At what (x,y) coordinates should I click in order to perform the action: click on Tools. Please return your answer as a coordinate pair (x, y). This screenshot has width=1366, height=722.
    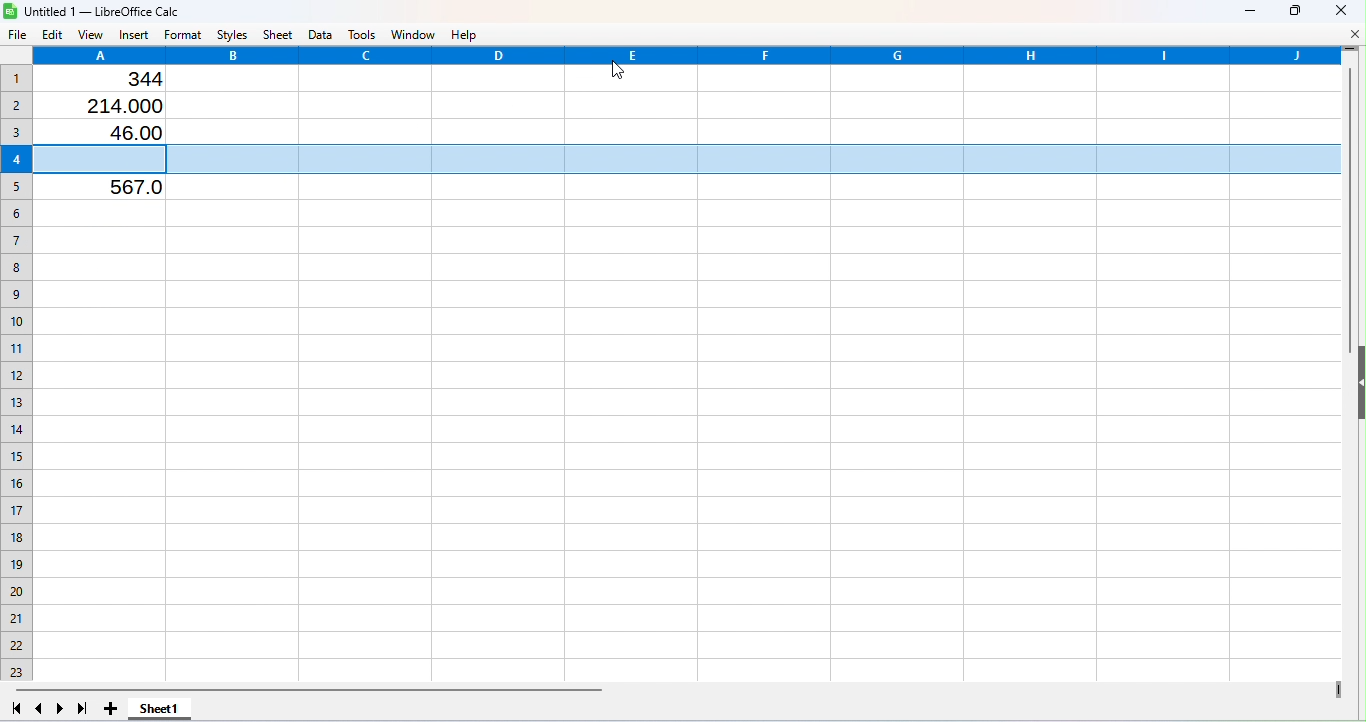
    Looking at the image, I should click on (363, 34).